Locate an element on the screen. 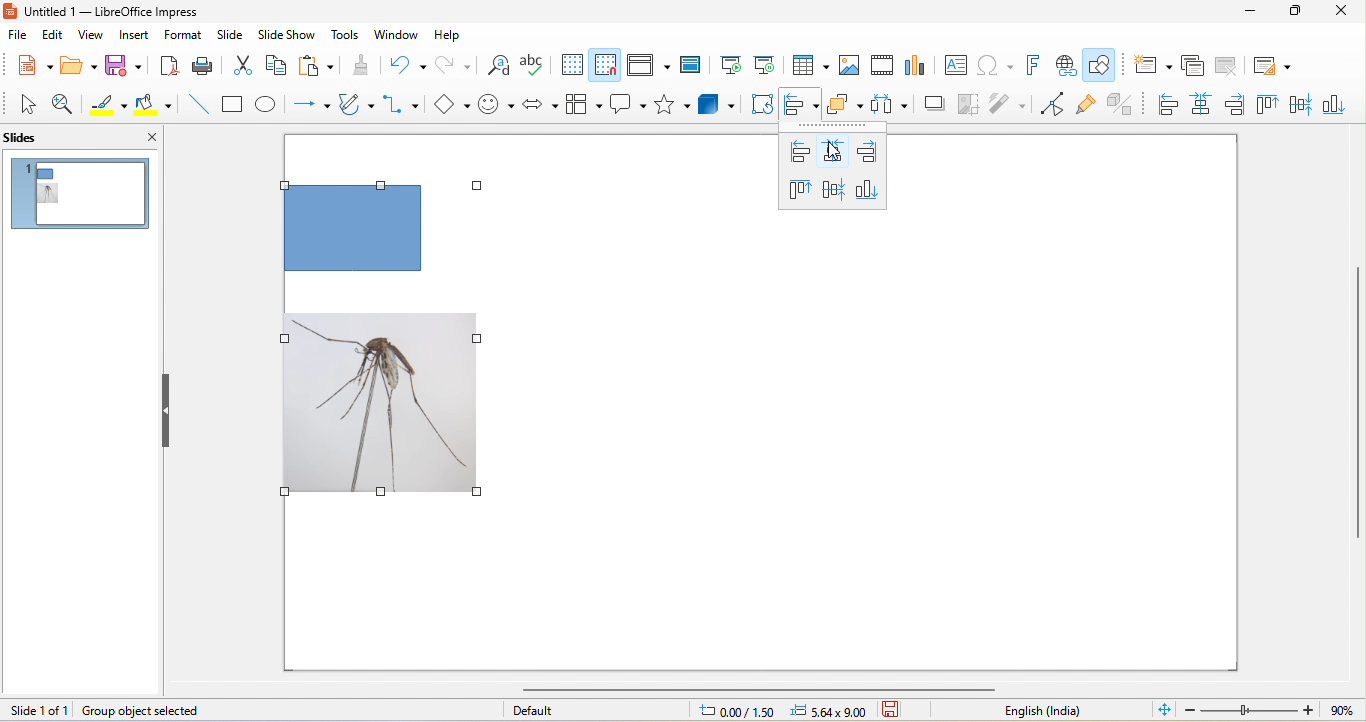  block arrow is located at coordinates (543, 105).